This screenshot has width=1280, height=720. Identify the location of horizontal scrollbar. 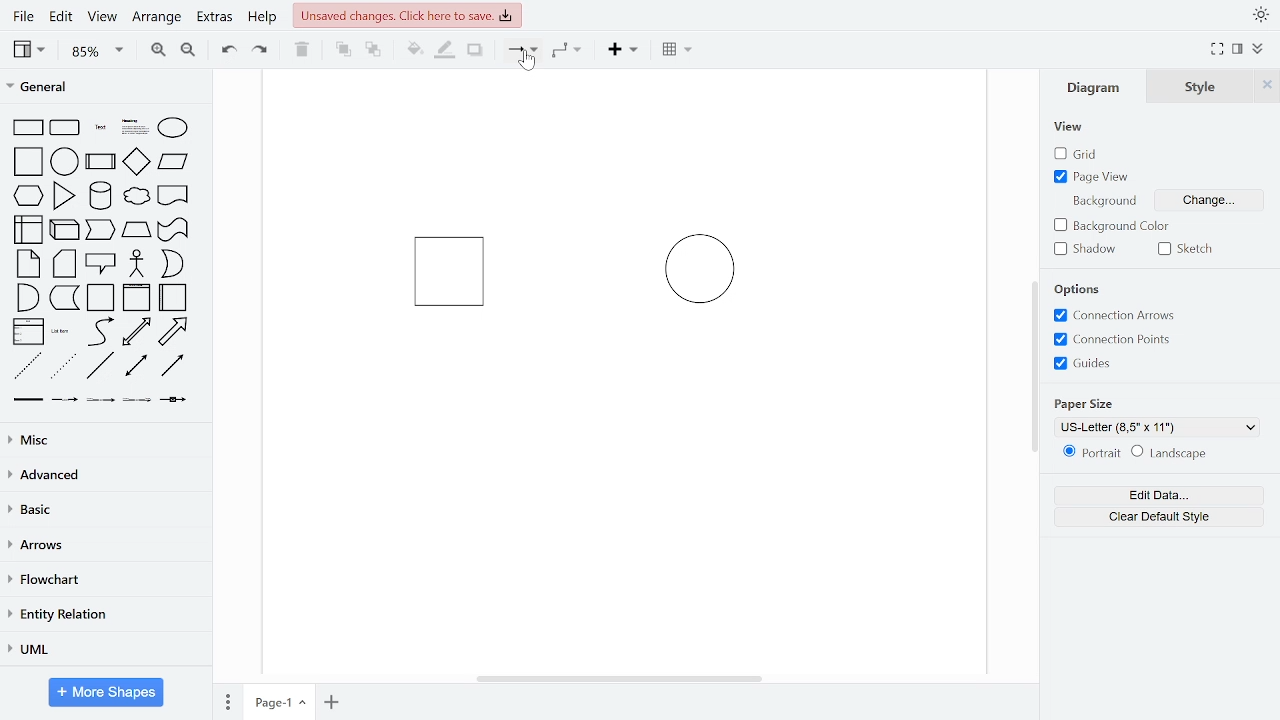
(622, 678).